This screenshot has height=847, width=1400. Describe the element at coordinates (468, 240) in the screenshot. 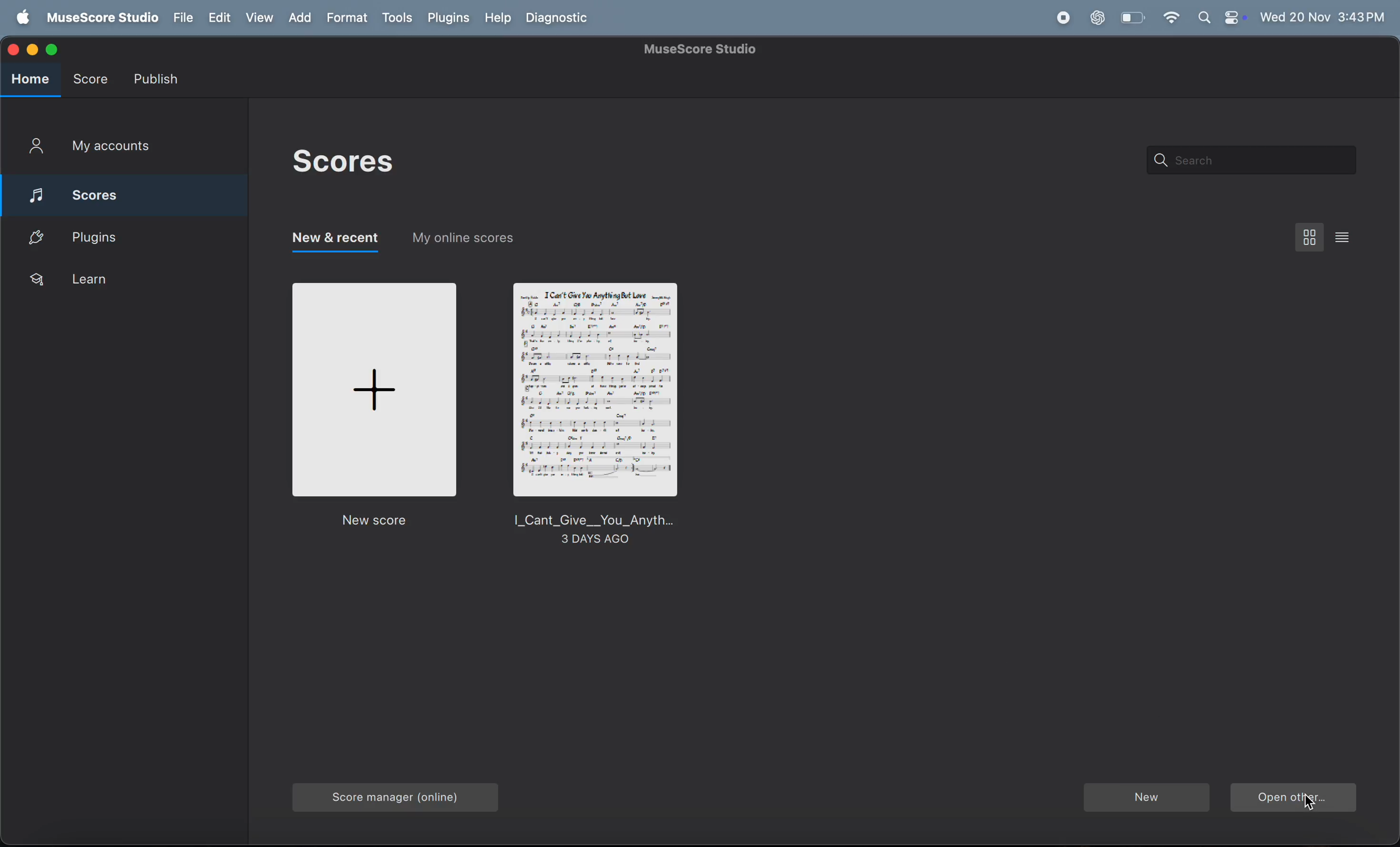

I see `my online scores` at that location.